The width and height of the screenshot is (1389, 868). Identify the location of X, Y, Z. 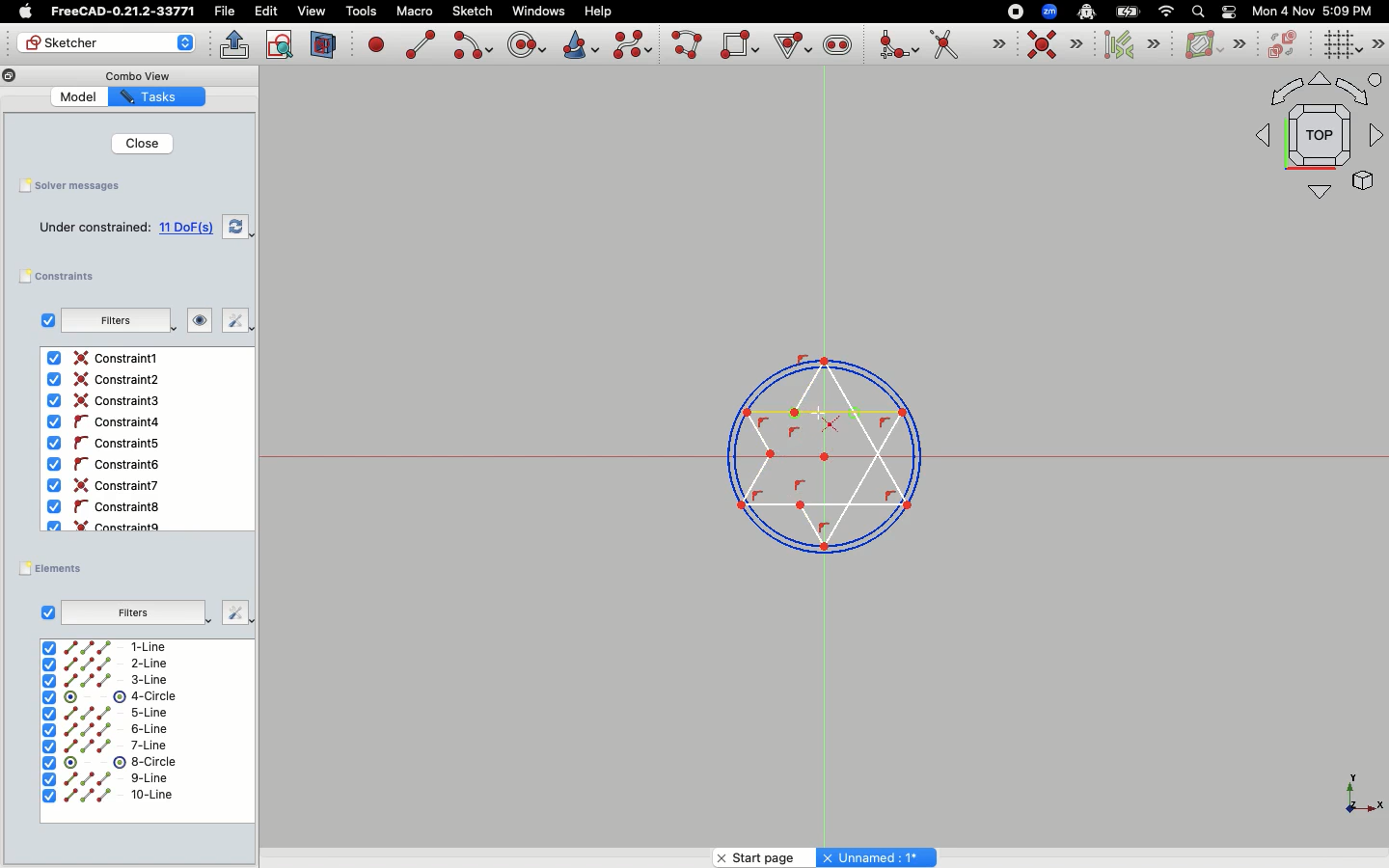
(1351, 800).